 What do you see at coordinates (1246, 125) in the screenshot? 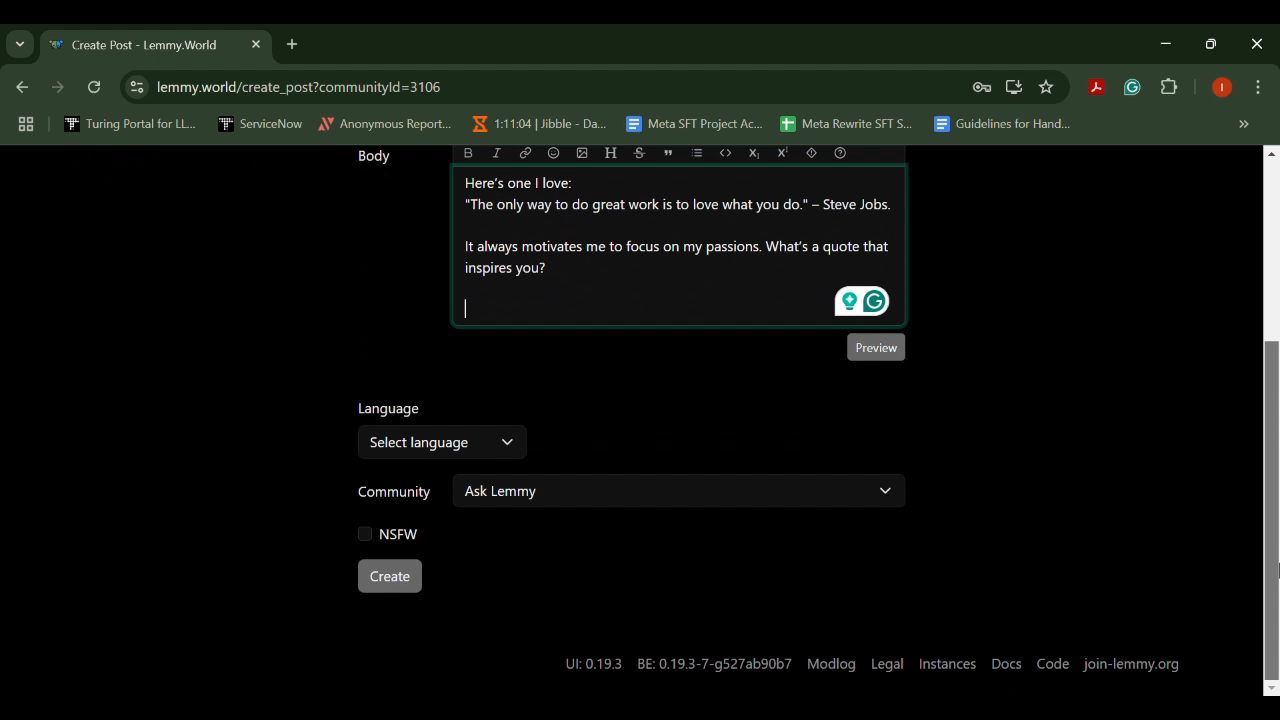
I see `Hidden bookmarks` at bounding box center [1246, 125].